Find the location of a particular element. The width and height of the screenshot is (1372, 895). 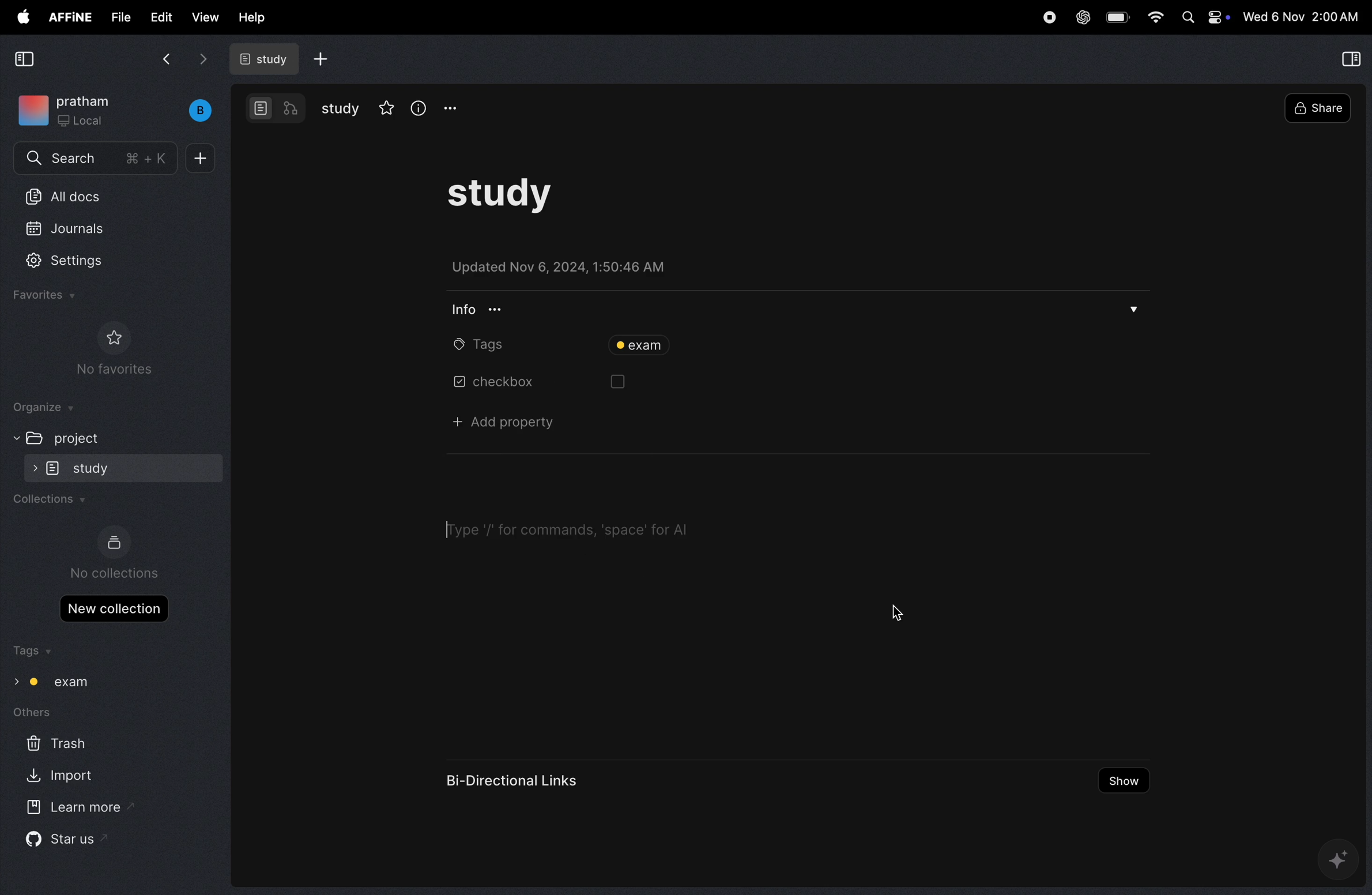

exam tags is located at coordinates (61, 684).